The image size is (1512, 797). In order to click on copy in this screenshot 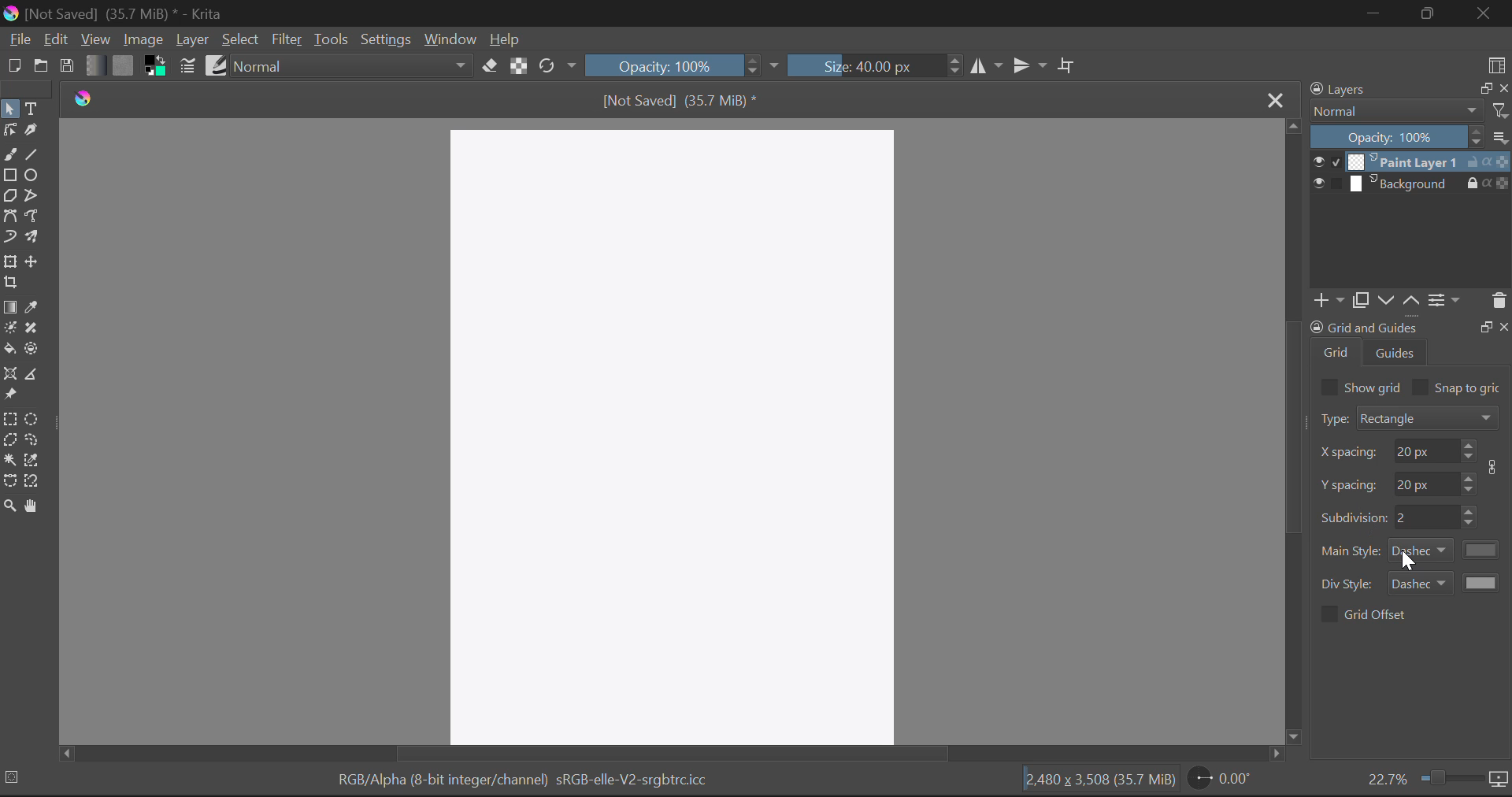, I will do `click(1359, 300)`.